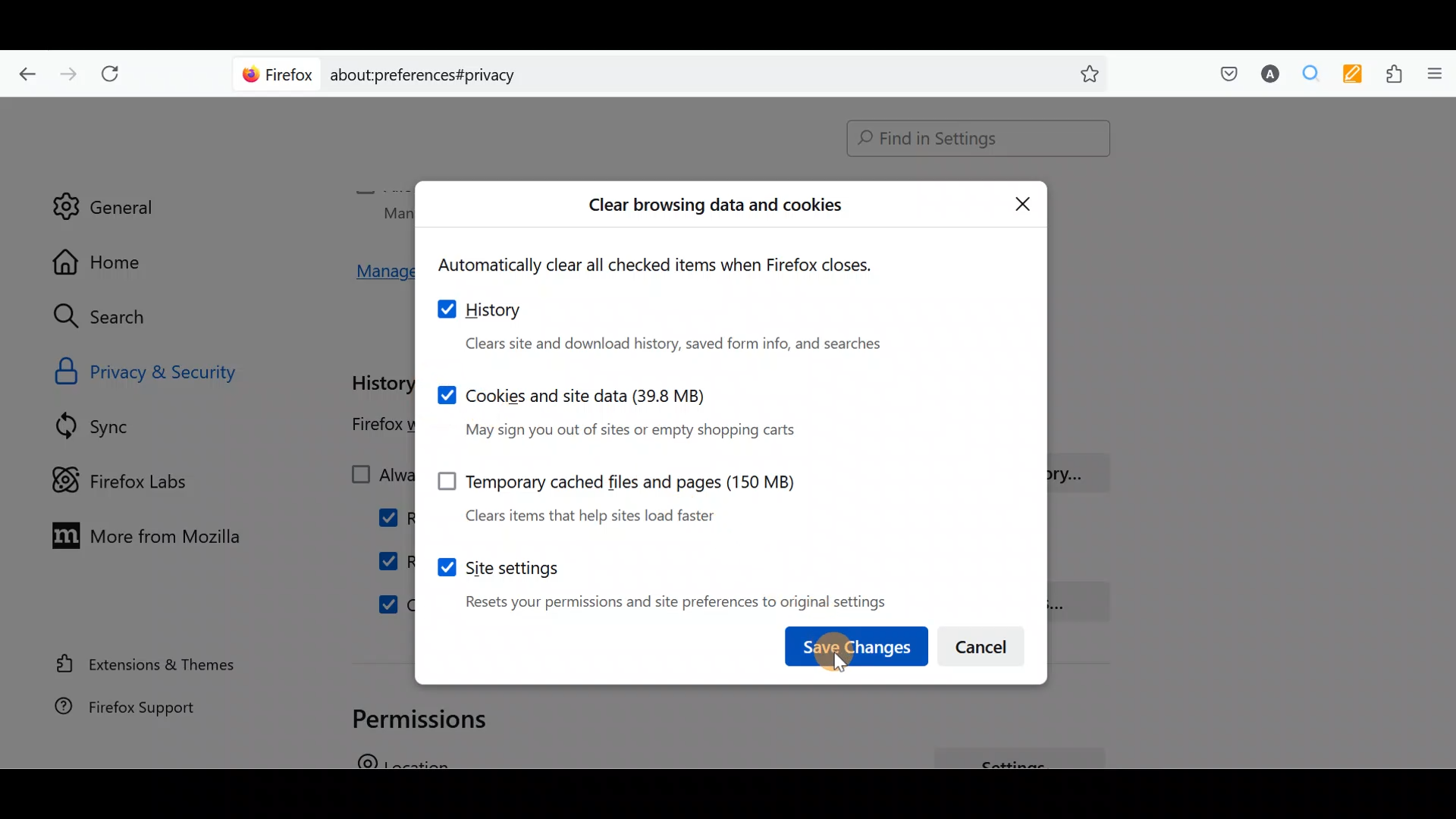 This screenshot has height=819, width=1456. What do you see at coordinates (113, 425) in the screenshot?
I see `Sync` at bounding box center [113, 425].